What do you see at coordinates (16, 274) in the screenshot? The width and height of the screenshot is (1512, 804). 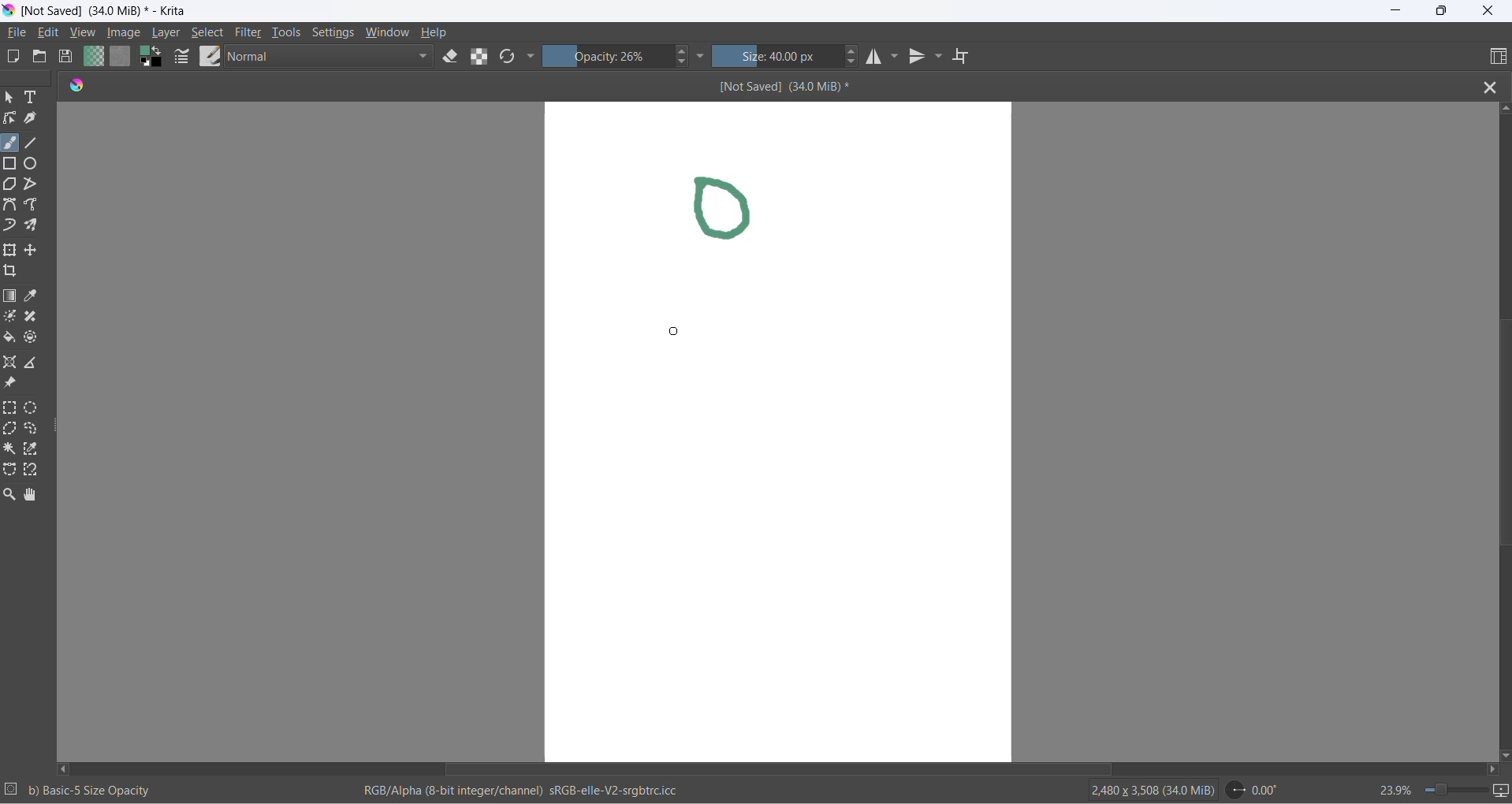 I see `crop an image to an area` at bounding box center [16, 274].